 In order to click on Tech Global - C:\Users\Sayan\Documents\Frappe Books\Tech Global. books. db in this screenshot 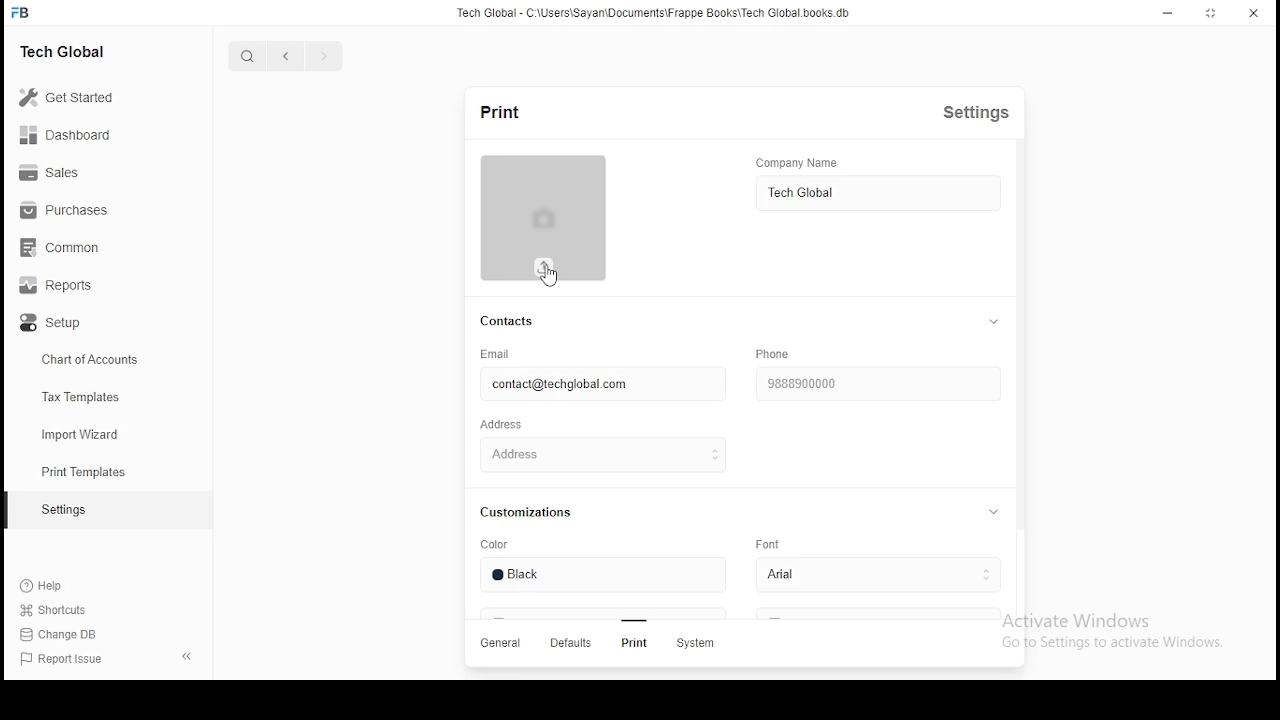, I will do `click(653, 16)`.